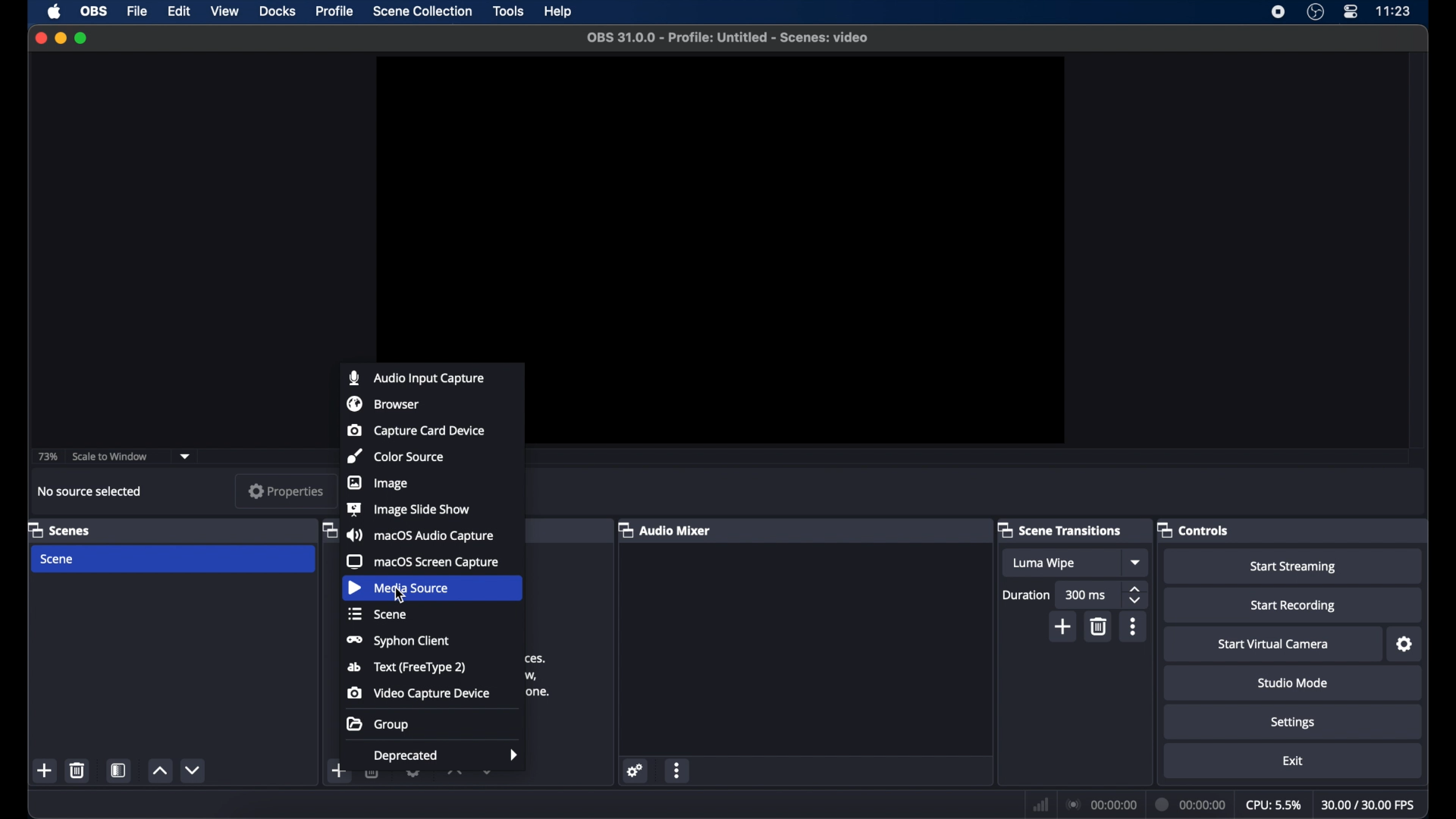 Image resolution: width=1456 pixels, height=819 pixels. Describe the element at coordinates (224, 11) in the screenshot. I see `view` at that location.